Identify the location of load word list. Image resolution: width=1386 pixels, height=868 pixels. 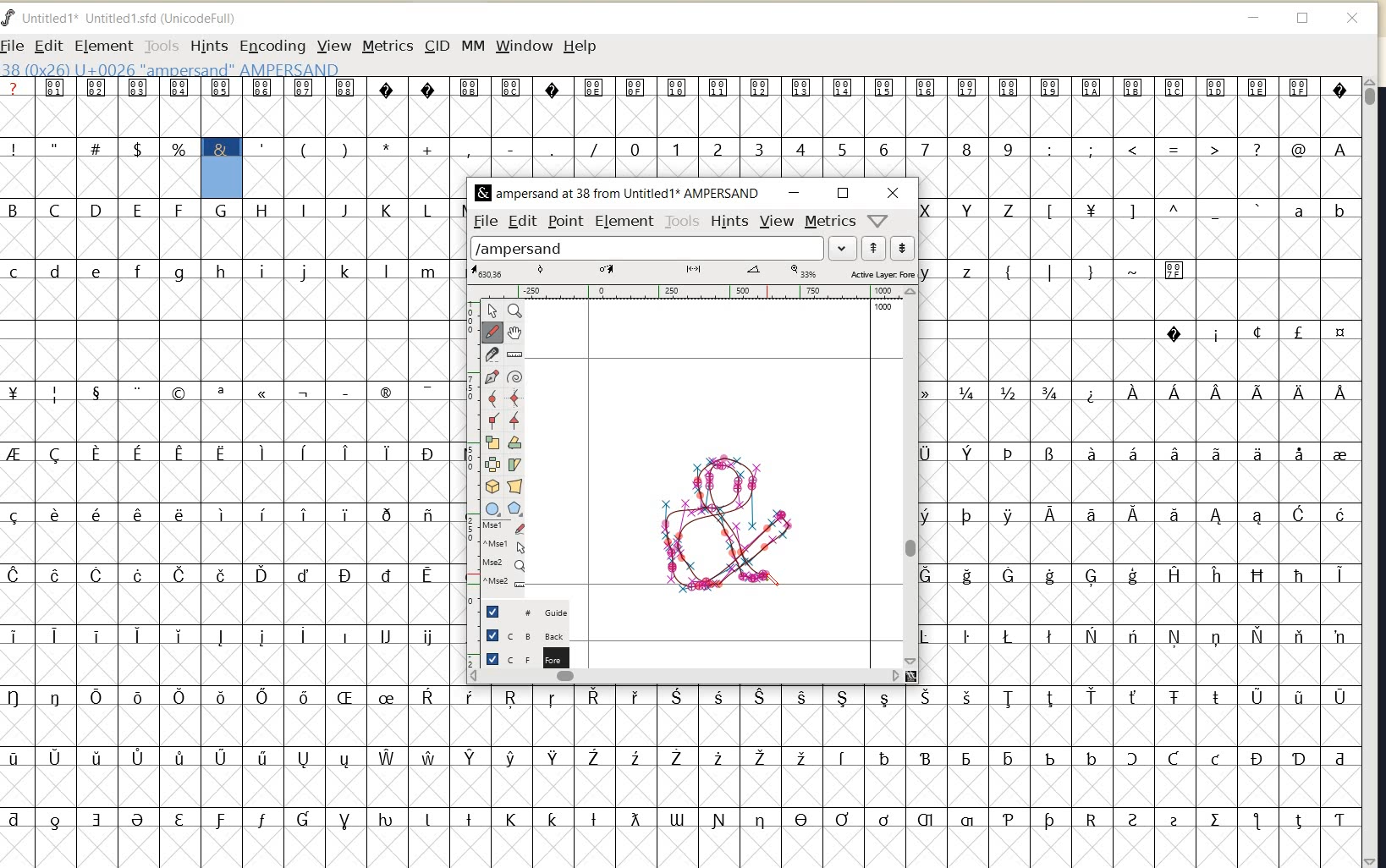
(646, 247).